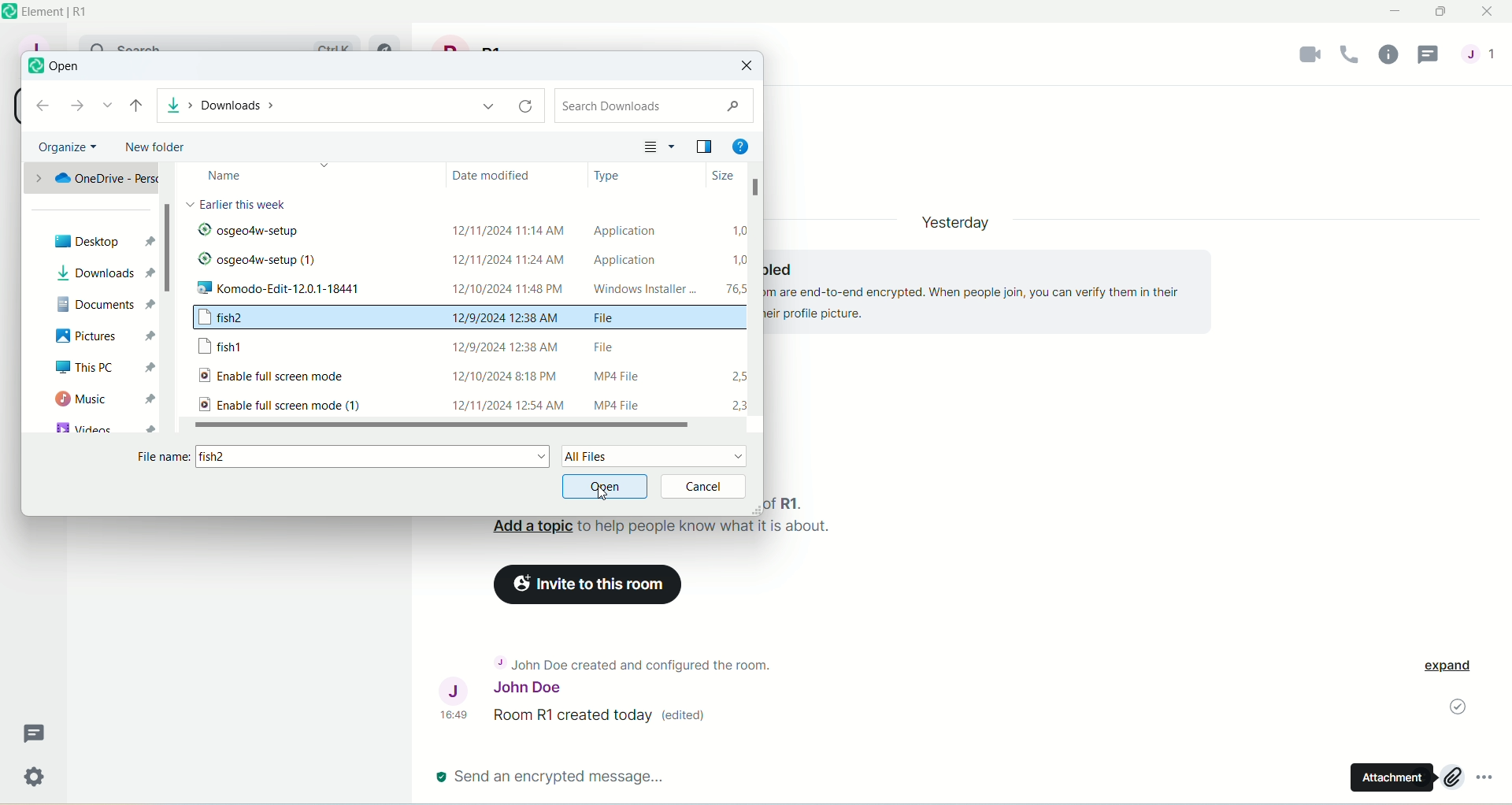 This screenshot has width=1512, height=805. What do you see at coordinates (98, 428) in the screenshot?
I see `Videos ` at bounding box center [98, 428].